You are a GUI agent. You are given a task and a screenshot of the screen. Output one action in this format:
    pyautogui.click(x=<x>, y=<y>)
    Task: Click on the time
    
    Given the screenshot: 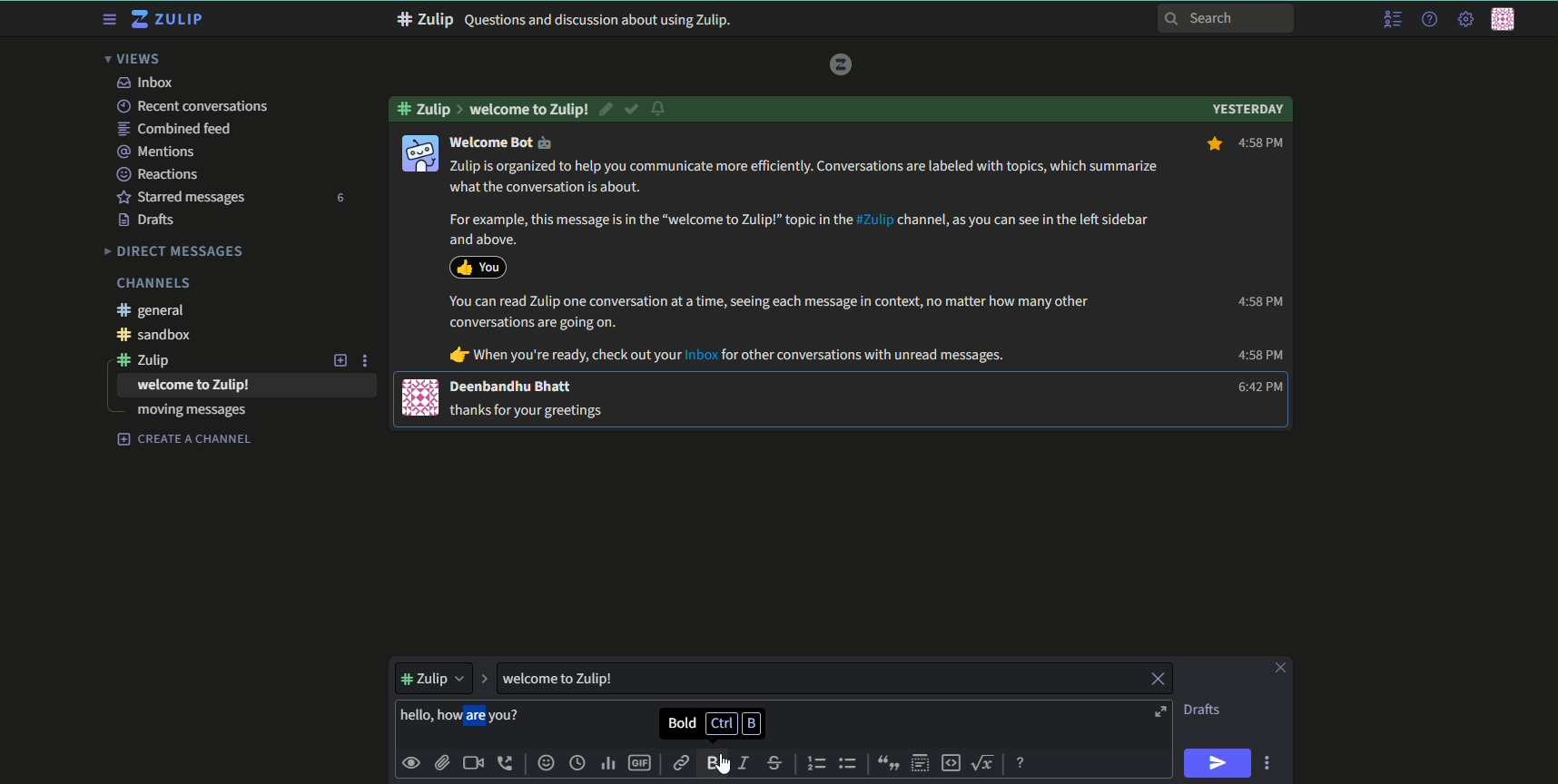 What is the action you would take?
    pyautogui.click(x=579, y=764)
    